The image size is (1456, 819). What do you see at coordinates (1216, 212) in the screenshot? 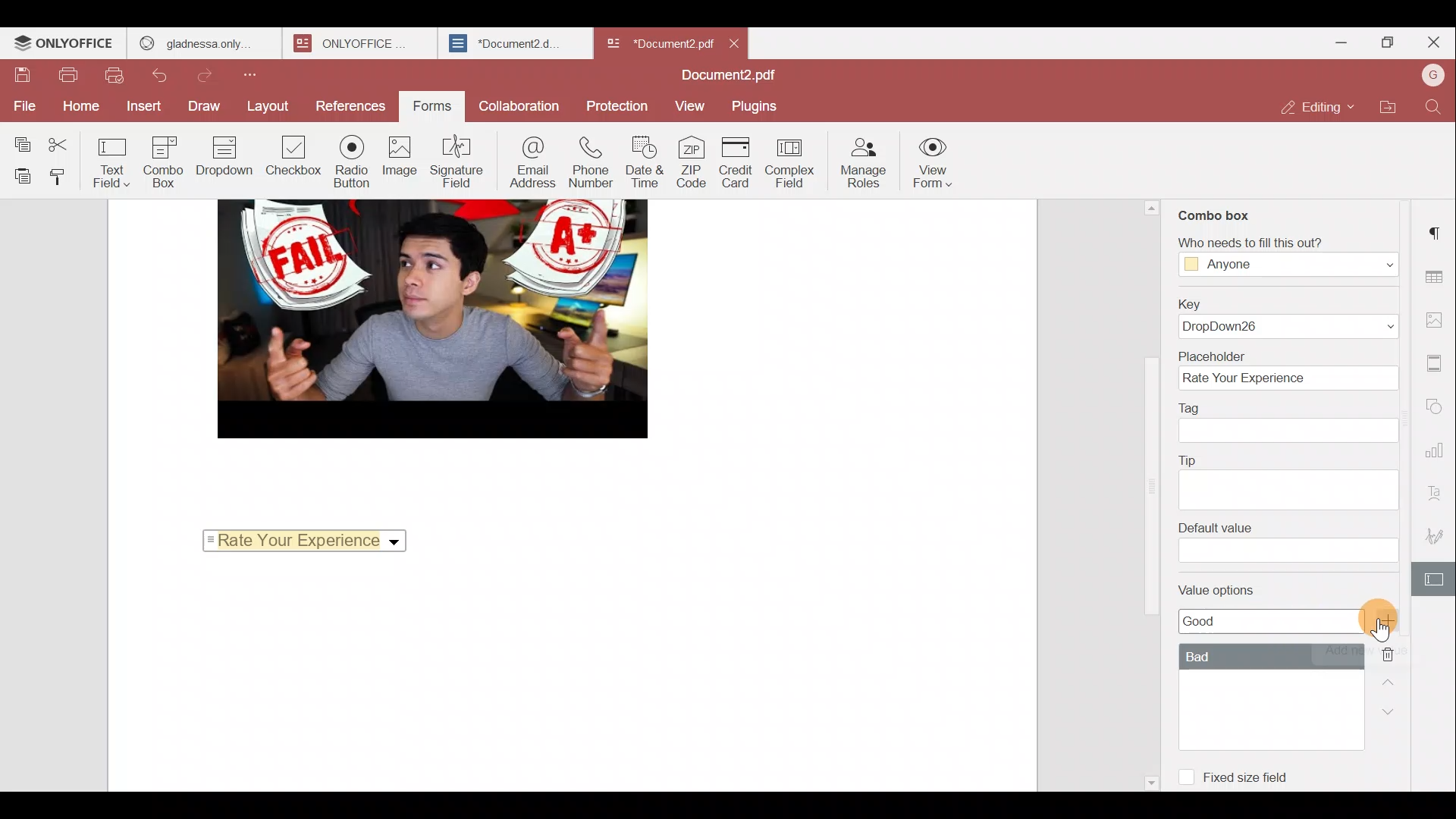
I see `Combo box` at bounding box center [1216, 212].